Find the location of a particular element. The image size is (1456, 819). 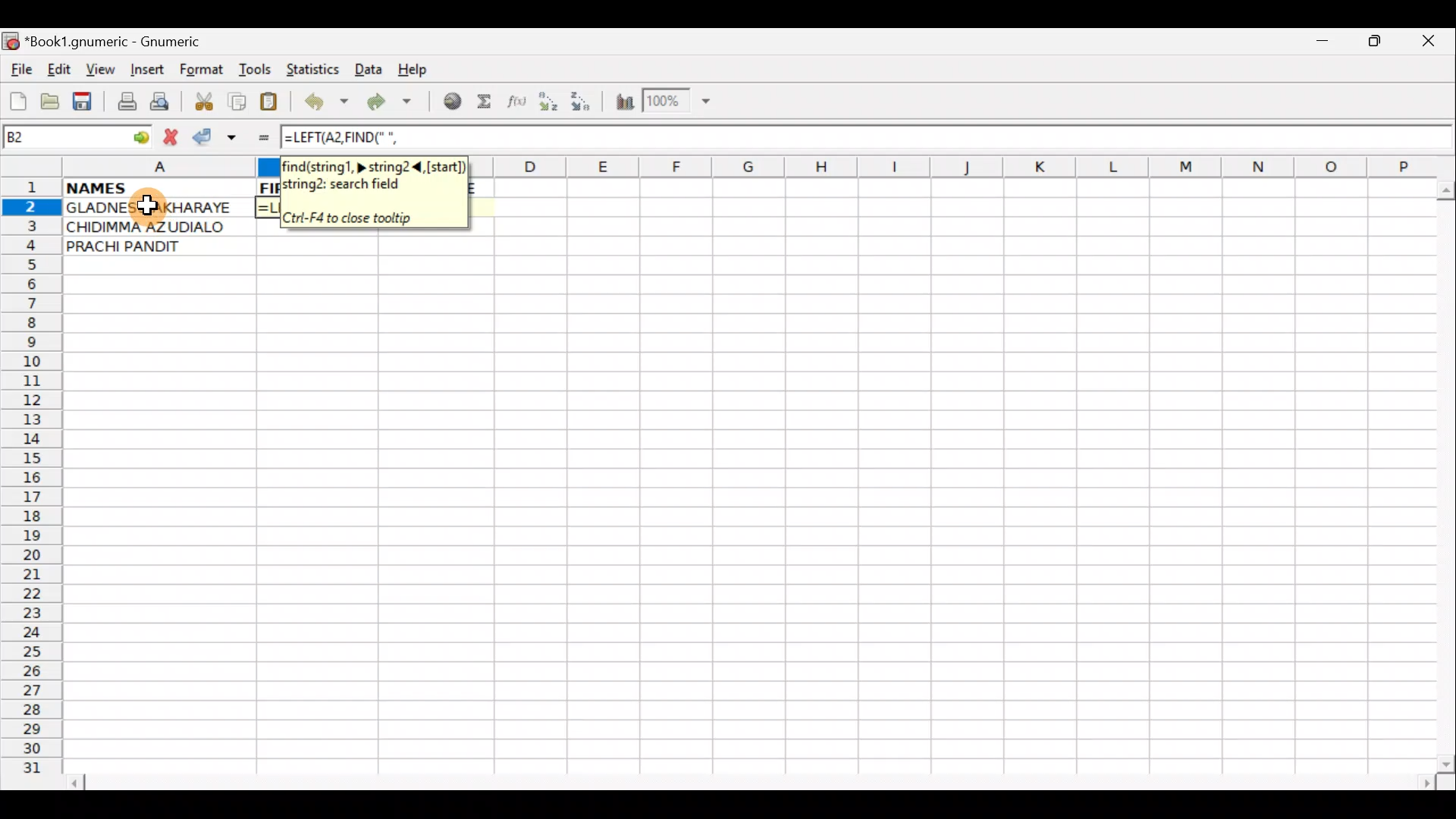

Scroll bar is located at coordinates (754, 780).